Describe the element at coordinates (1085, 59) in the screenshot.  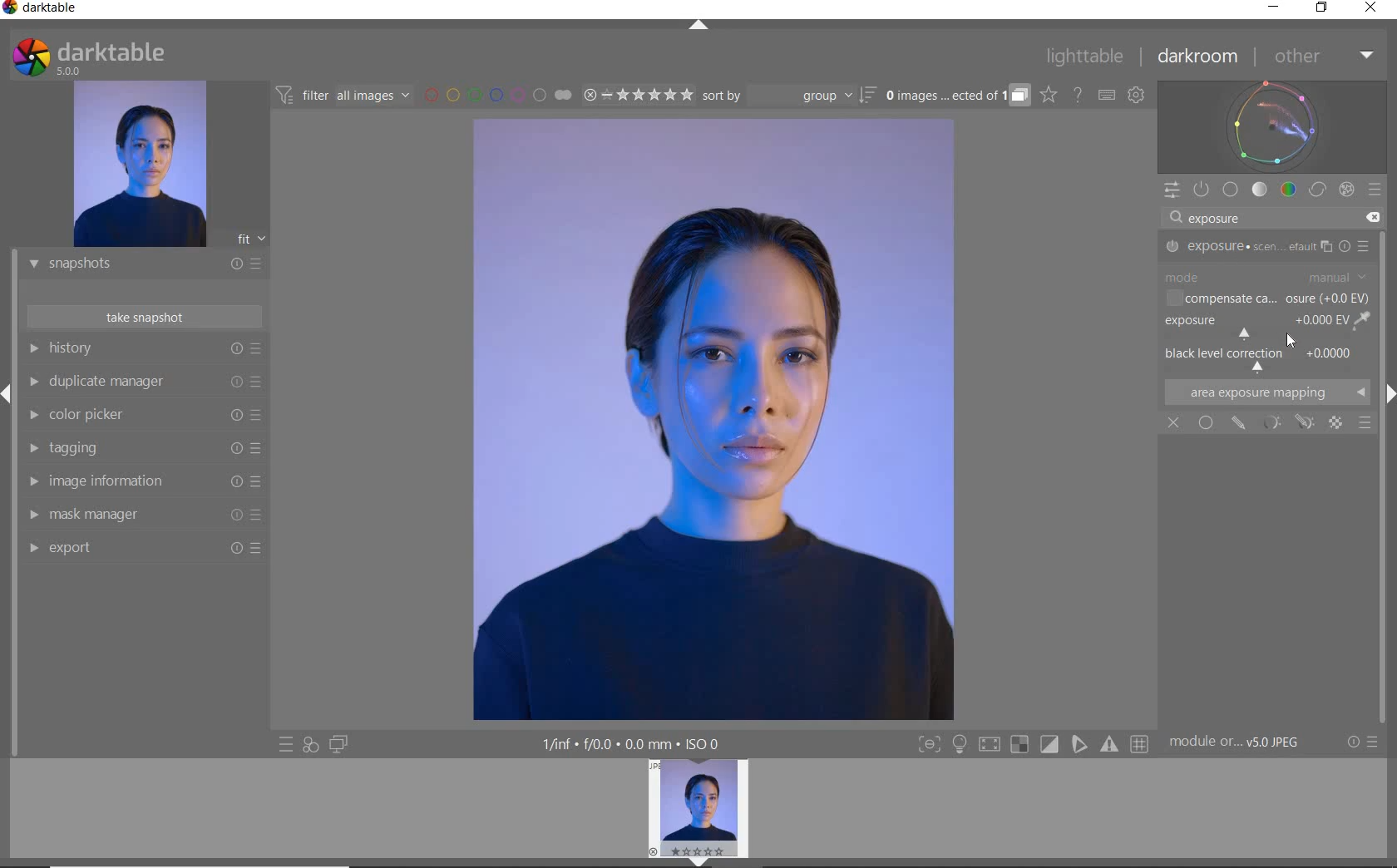
I see `LIGHTTABLE` at that location.